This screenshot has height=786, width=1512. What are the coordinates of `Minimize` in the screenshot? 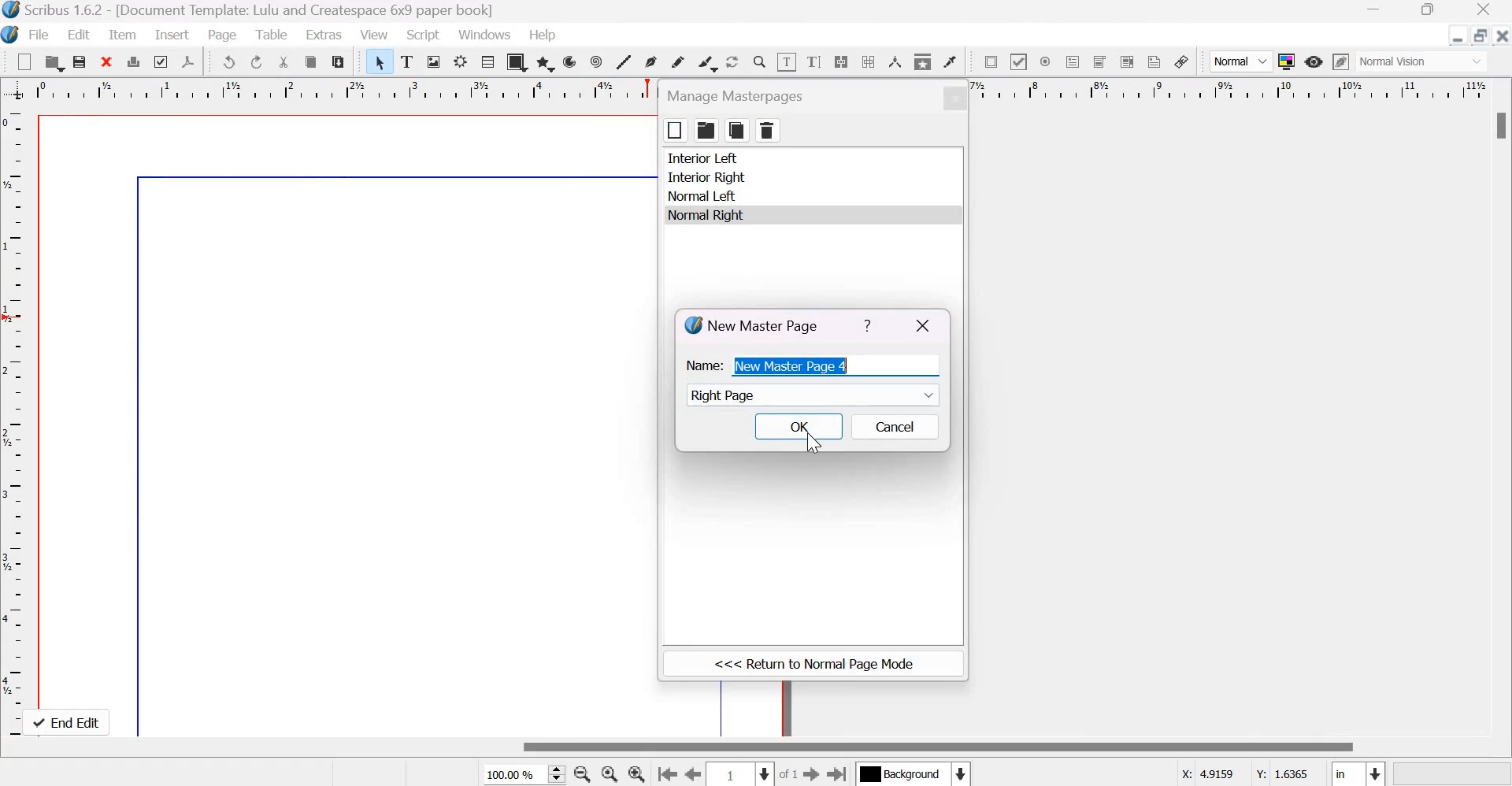 It's located at (1457, 36).